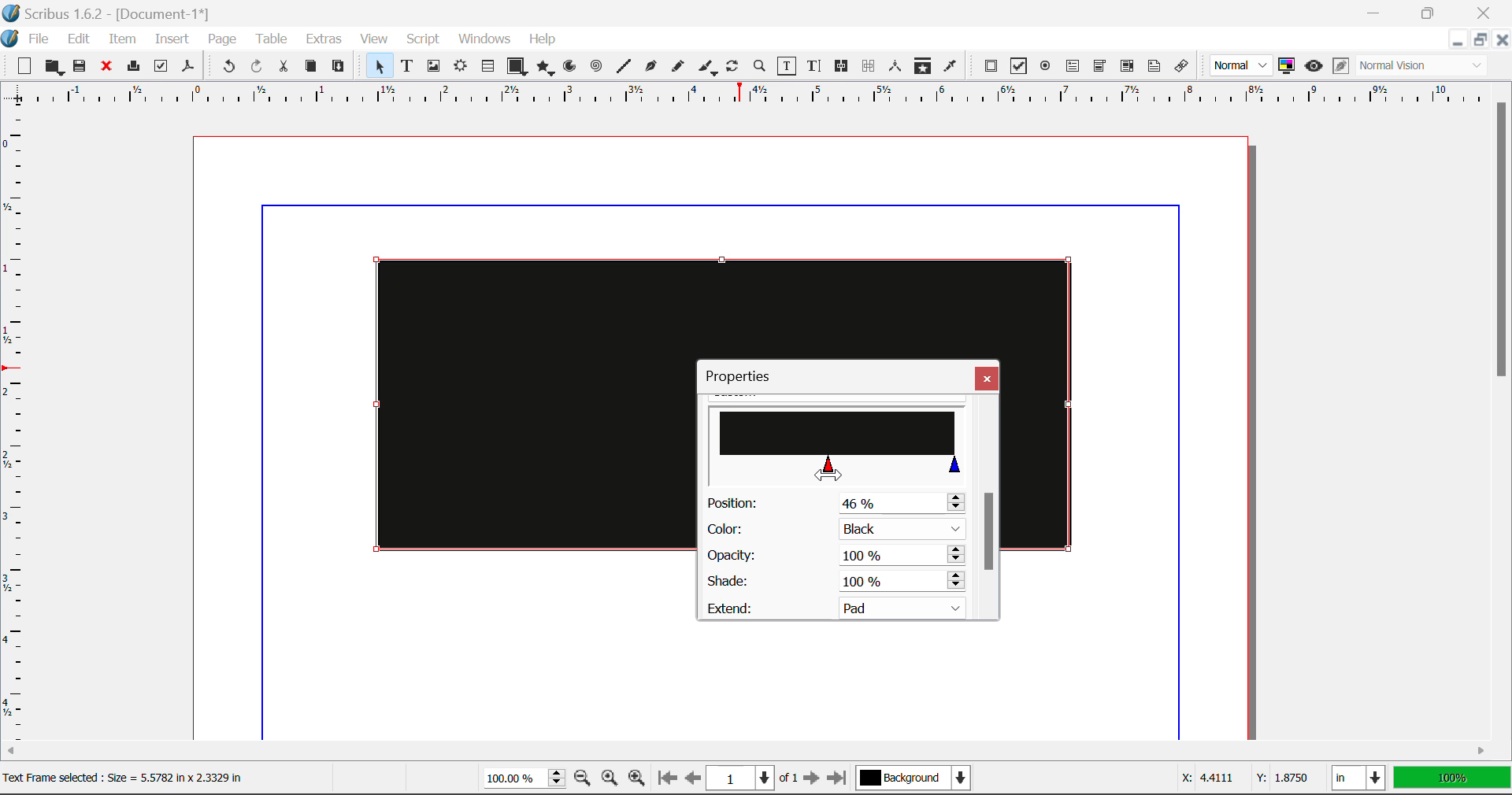 The image size is (1512, 795). I want to click on Redo, so click(257, 68).